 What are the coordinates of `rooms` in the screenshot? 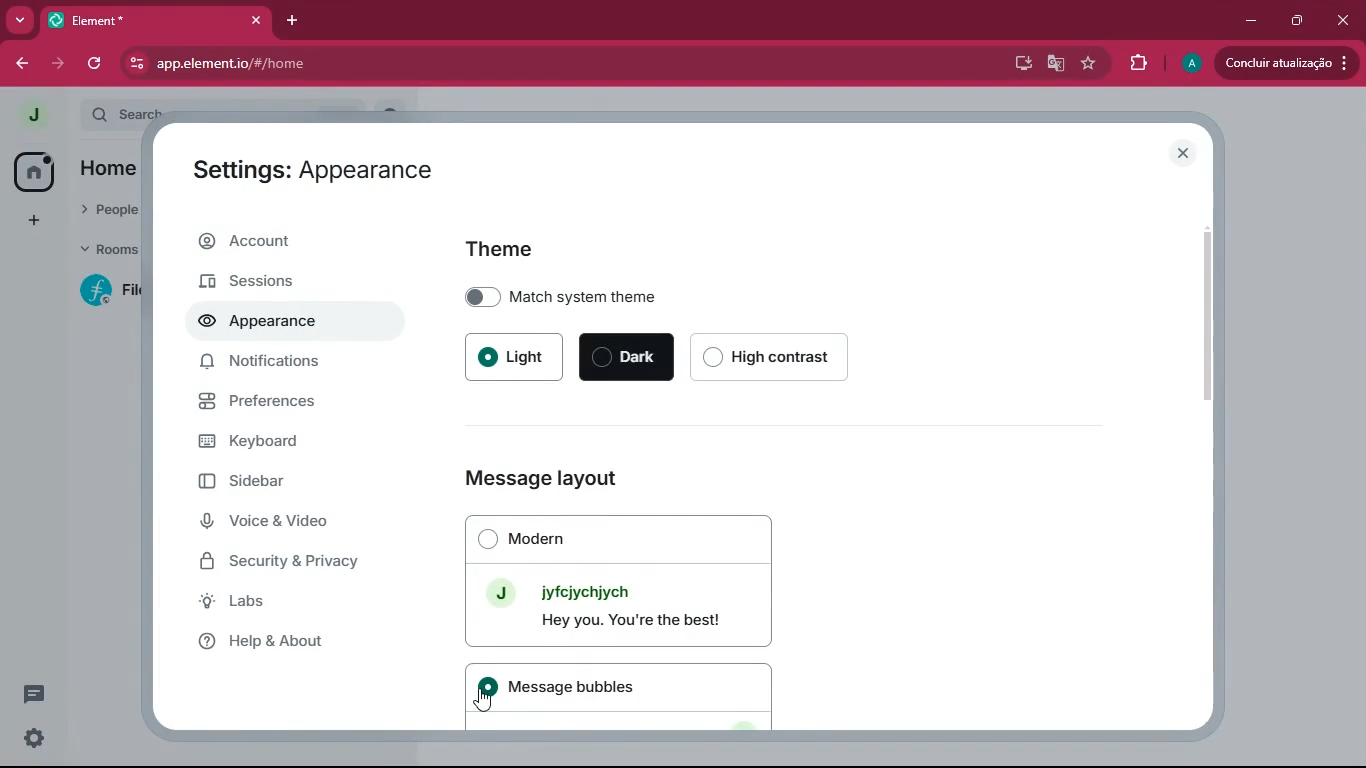 It's located at (113, 248).